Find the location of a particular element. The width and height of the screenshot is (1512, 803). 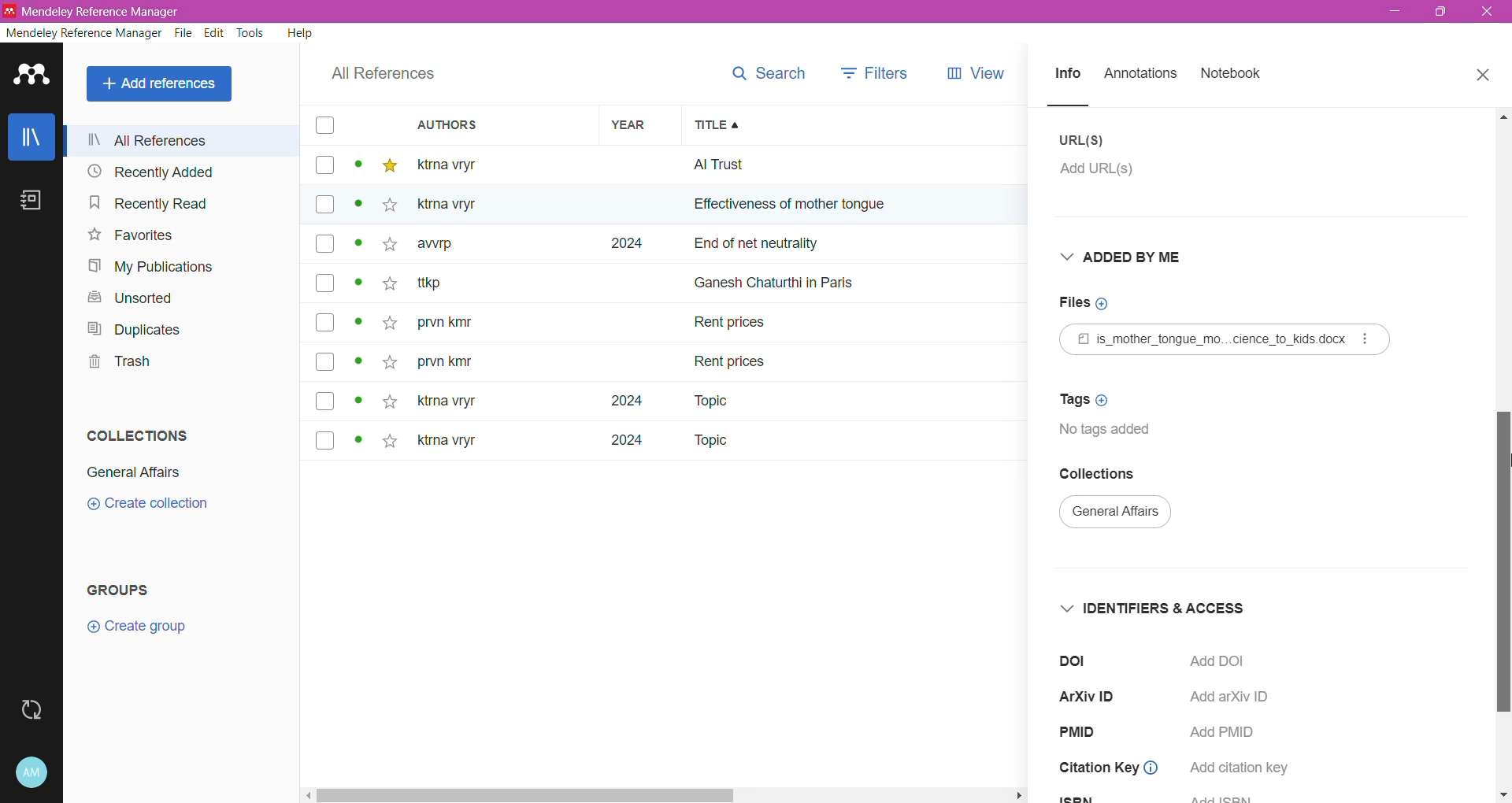

PMID is located at coordinates (1083, 732).